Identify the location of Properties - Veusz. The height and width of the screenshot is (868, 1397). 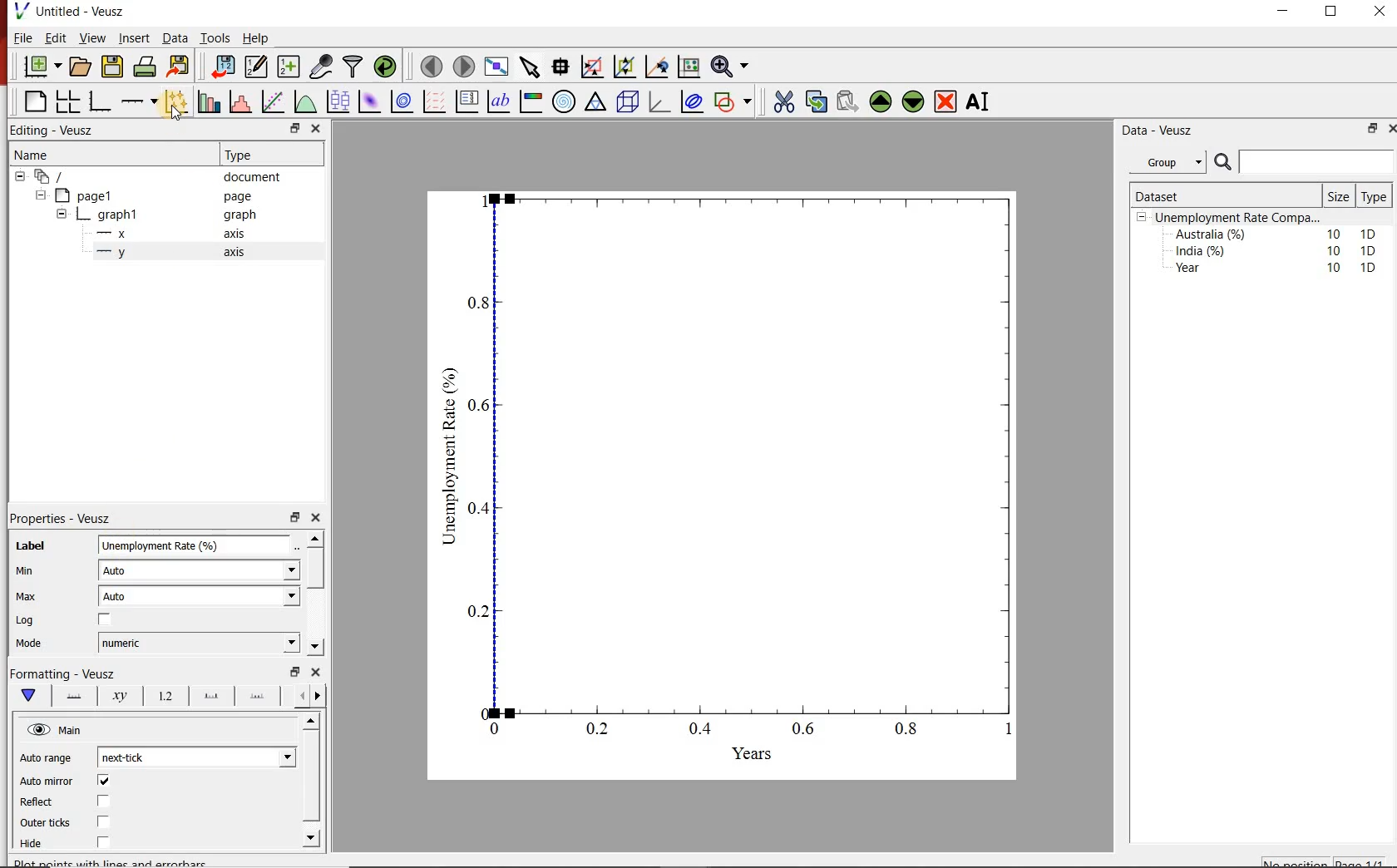
(63, 520).